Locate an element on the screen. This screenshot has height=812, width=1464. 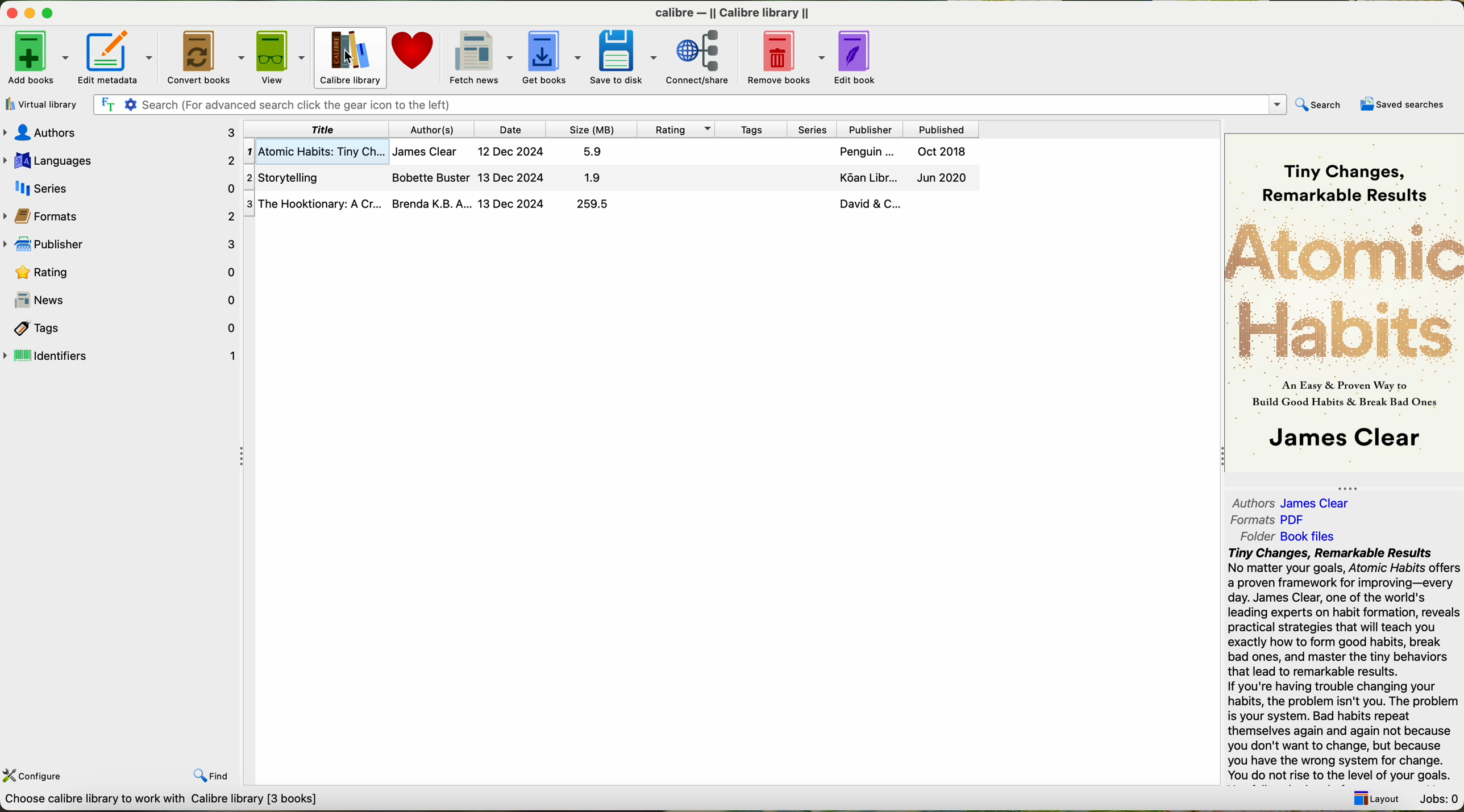
edit metadata is located at coordinates (120, 57).